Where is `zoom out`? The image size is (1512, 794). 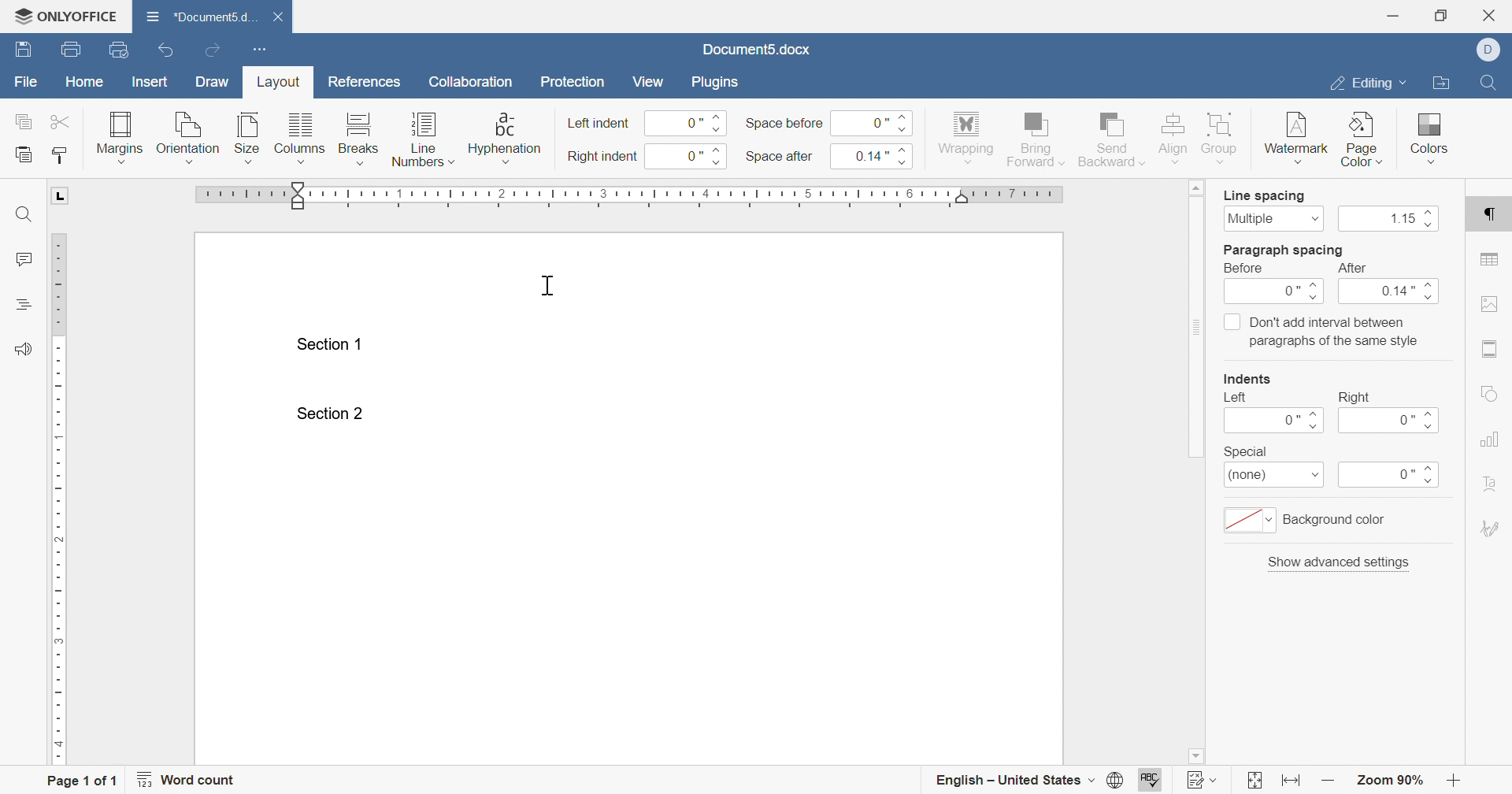
zoom out is located at coordinates (1456, 780).